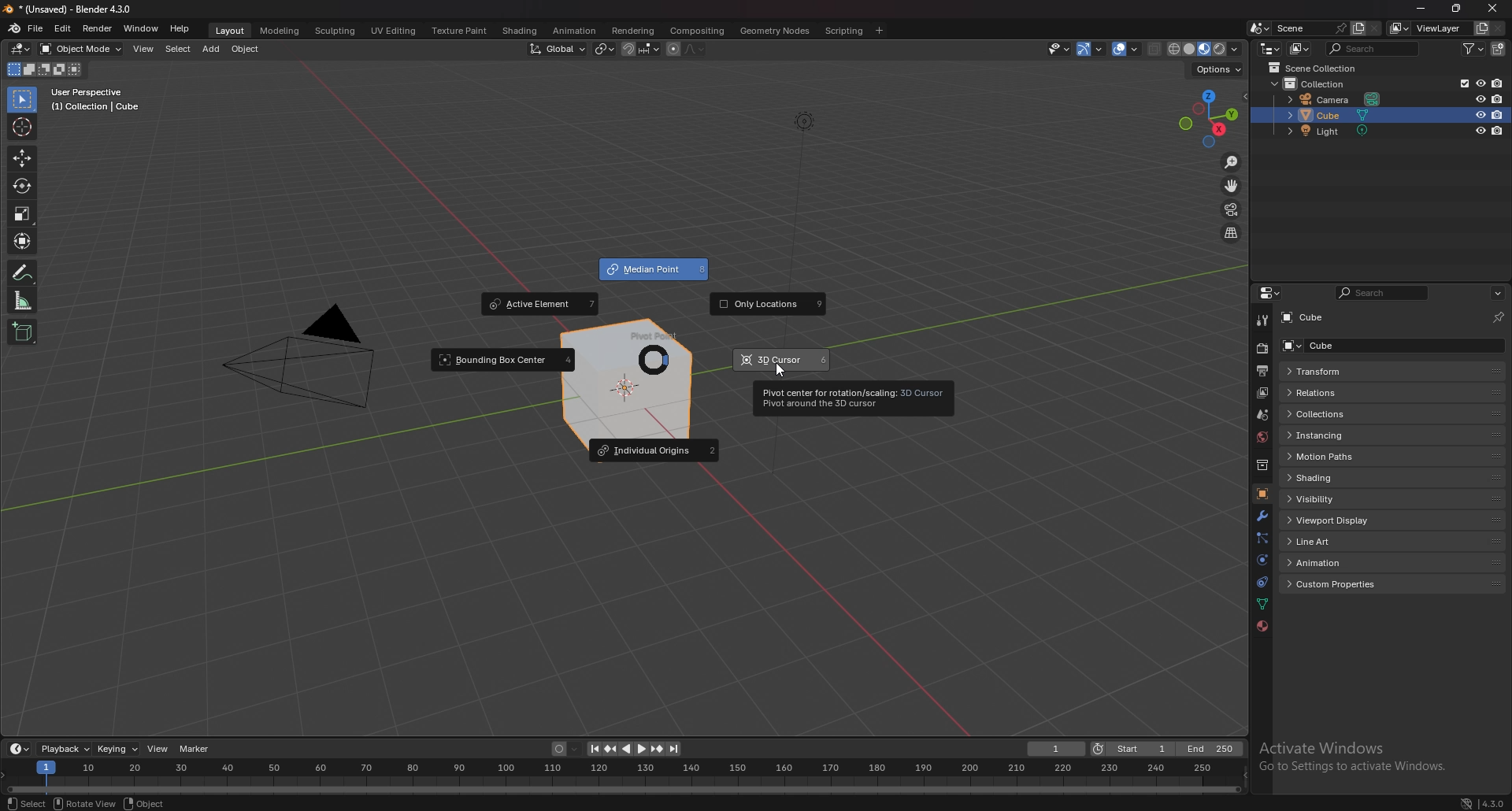 This screenshot has height=811, width=1512. What do you see at coordinates (1311, 28) in the screenshot?
I see `scene` at bounding box center [1311, 28].